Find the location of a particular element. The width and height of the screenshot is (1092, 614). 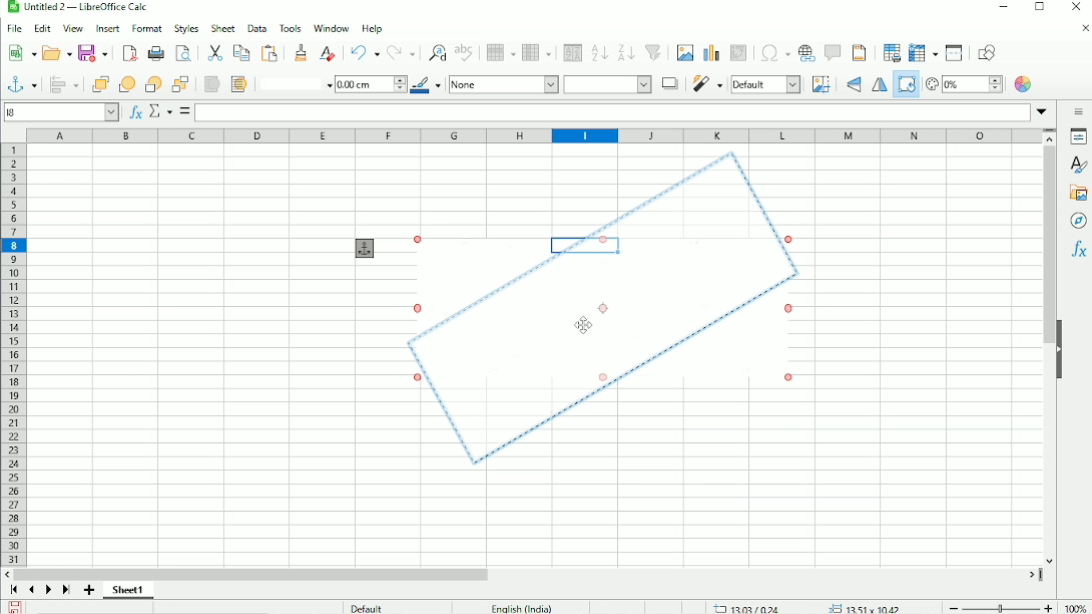

Vertical scrollbar is located at coordinates (1050, 237).